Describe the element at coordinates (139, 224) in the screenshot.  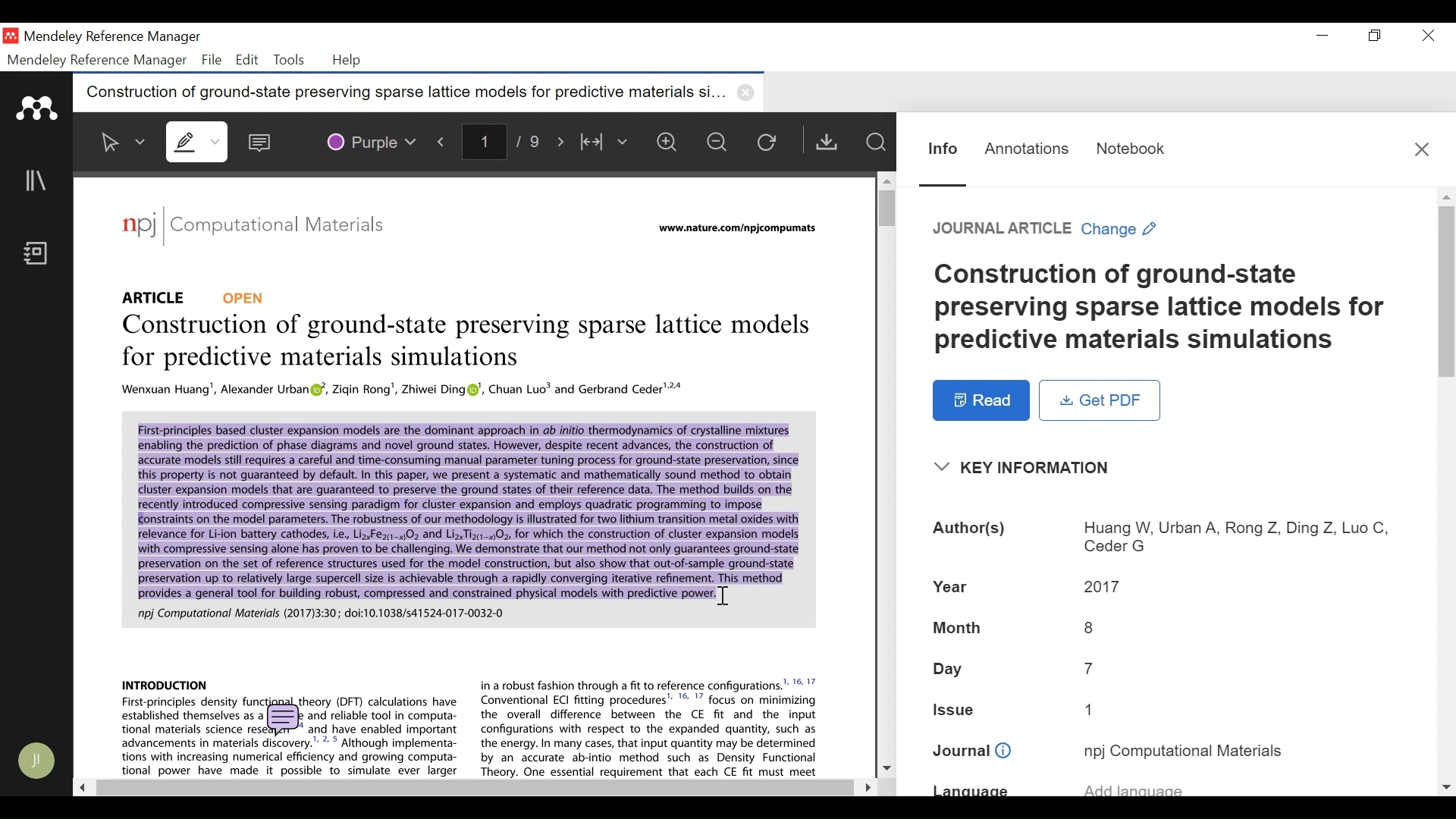
I see `logo` at that location.